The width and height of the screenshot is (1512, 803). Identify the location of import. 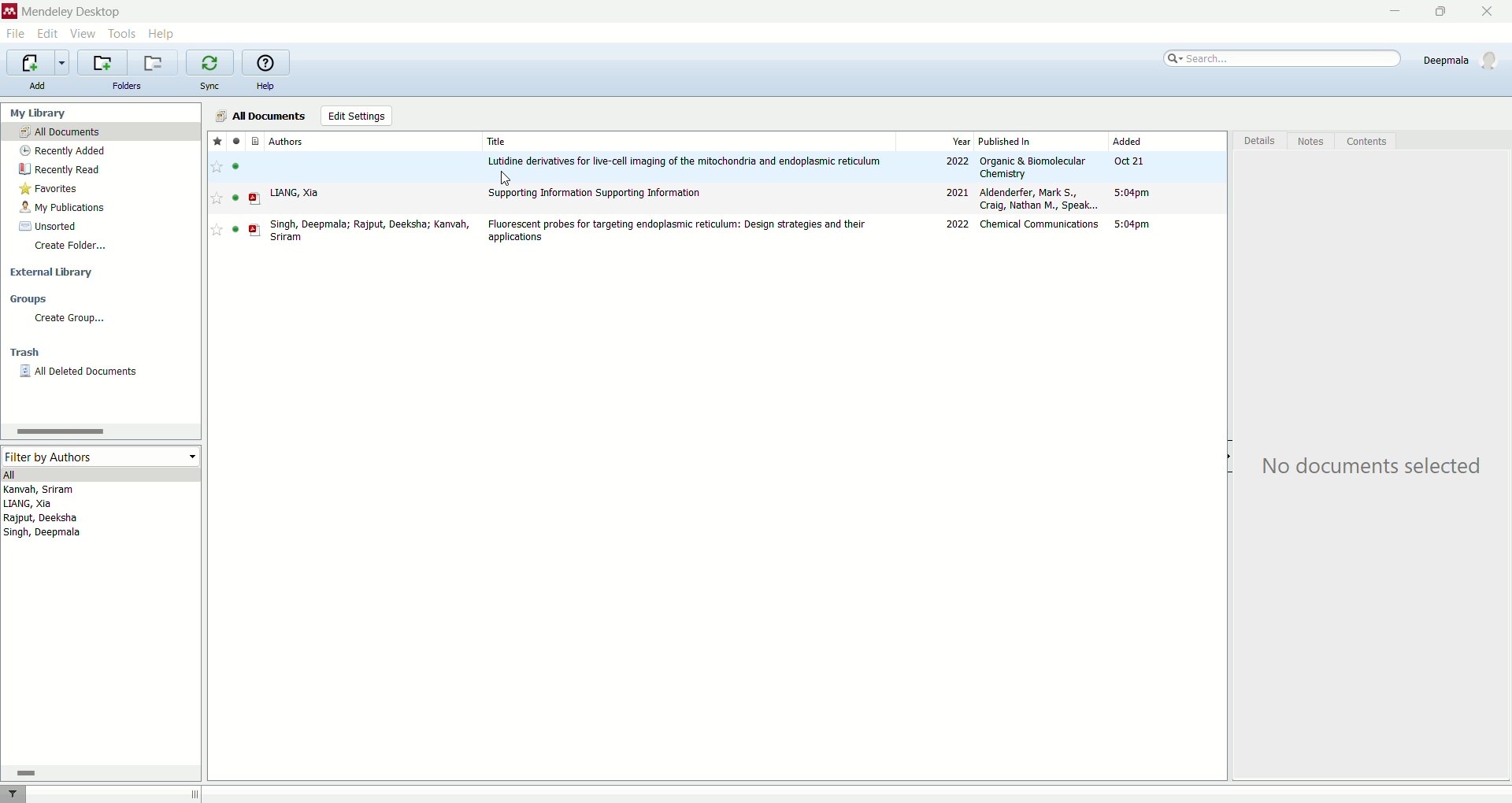
(38, 62).